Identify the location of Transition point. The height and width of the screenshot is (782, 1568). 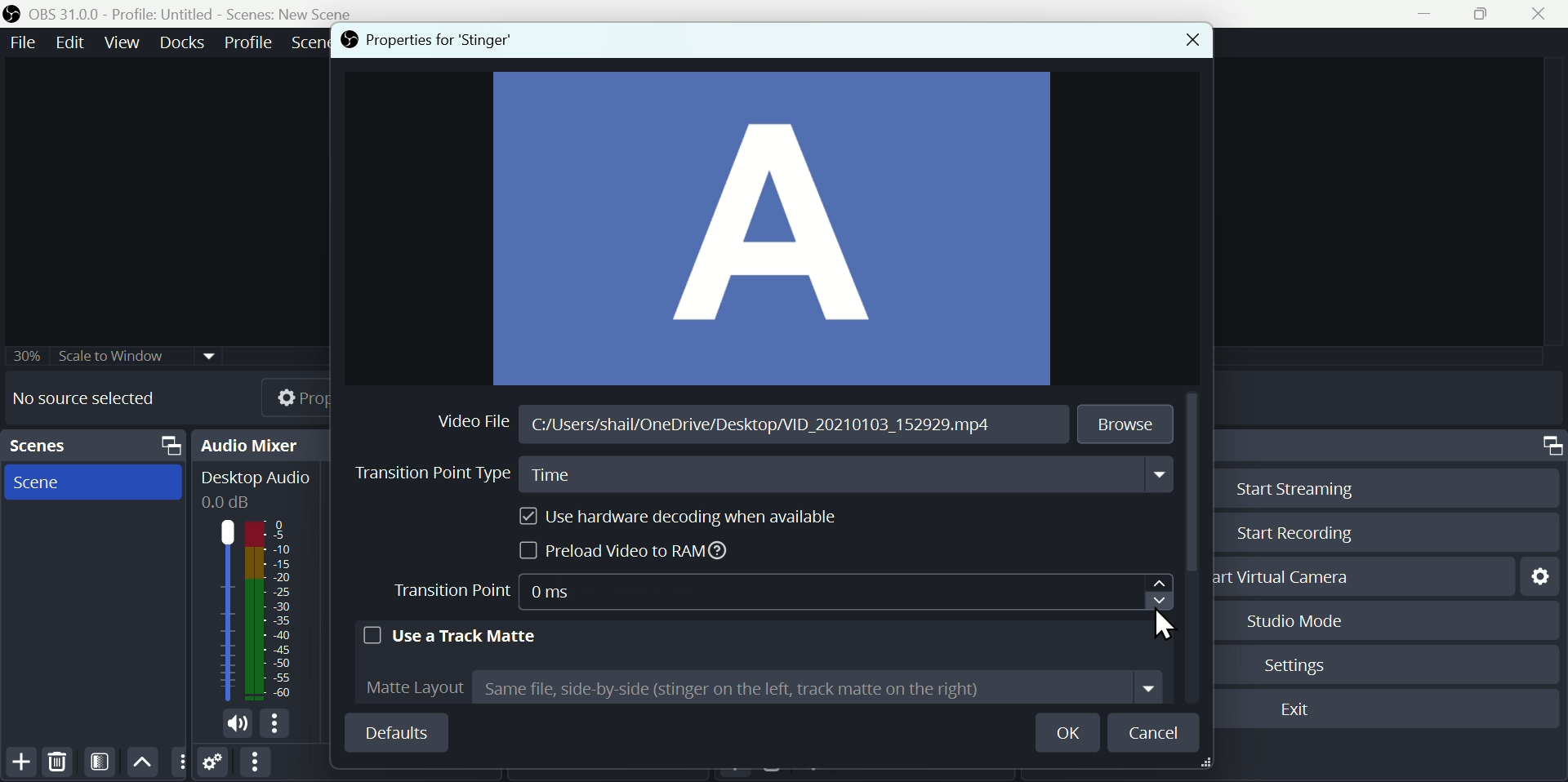
(454, 593).